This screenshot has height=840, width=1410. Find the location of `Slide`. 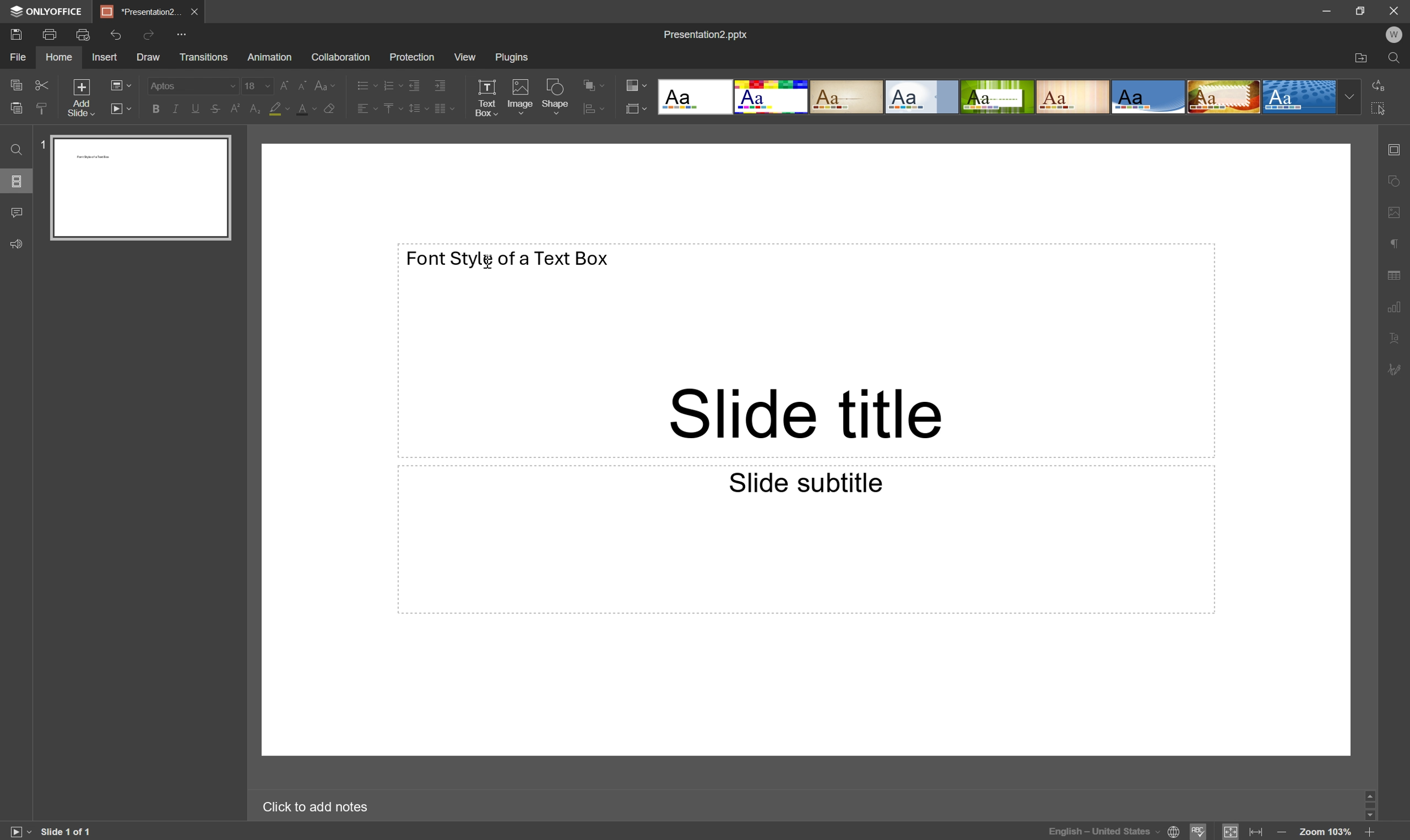

Slide is located at coordinates (140, 187).